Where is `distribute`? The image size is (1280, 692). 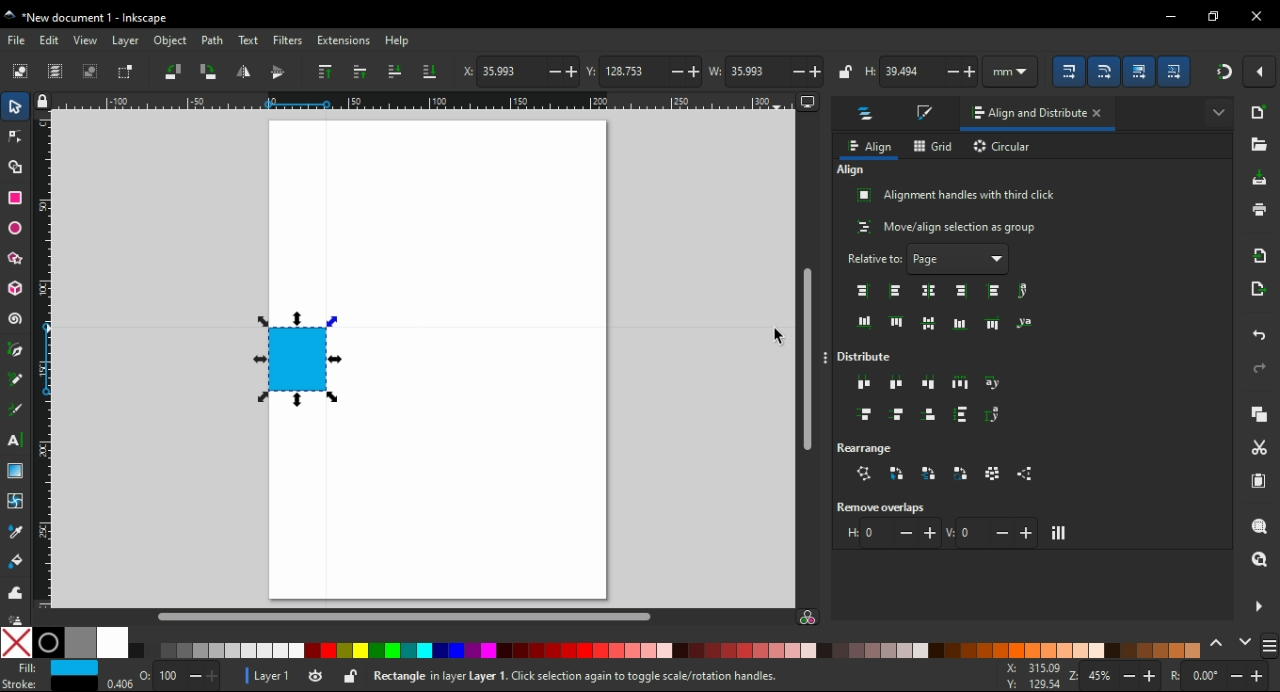 distribute is located at coordinates (871, 355).